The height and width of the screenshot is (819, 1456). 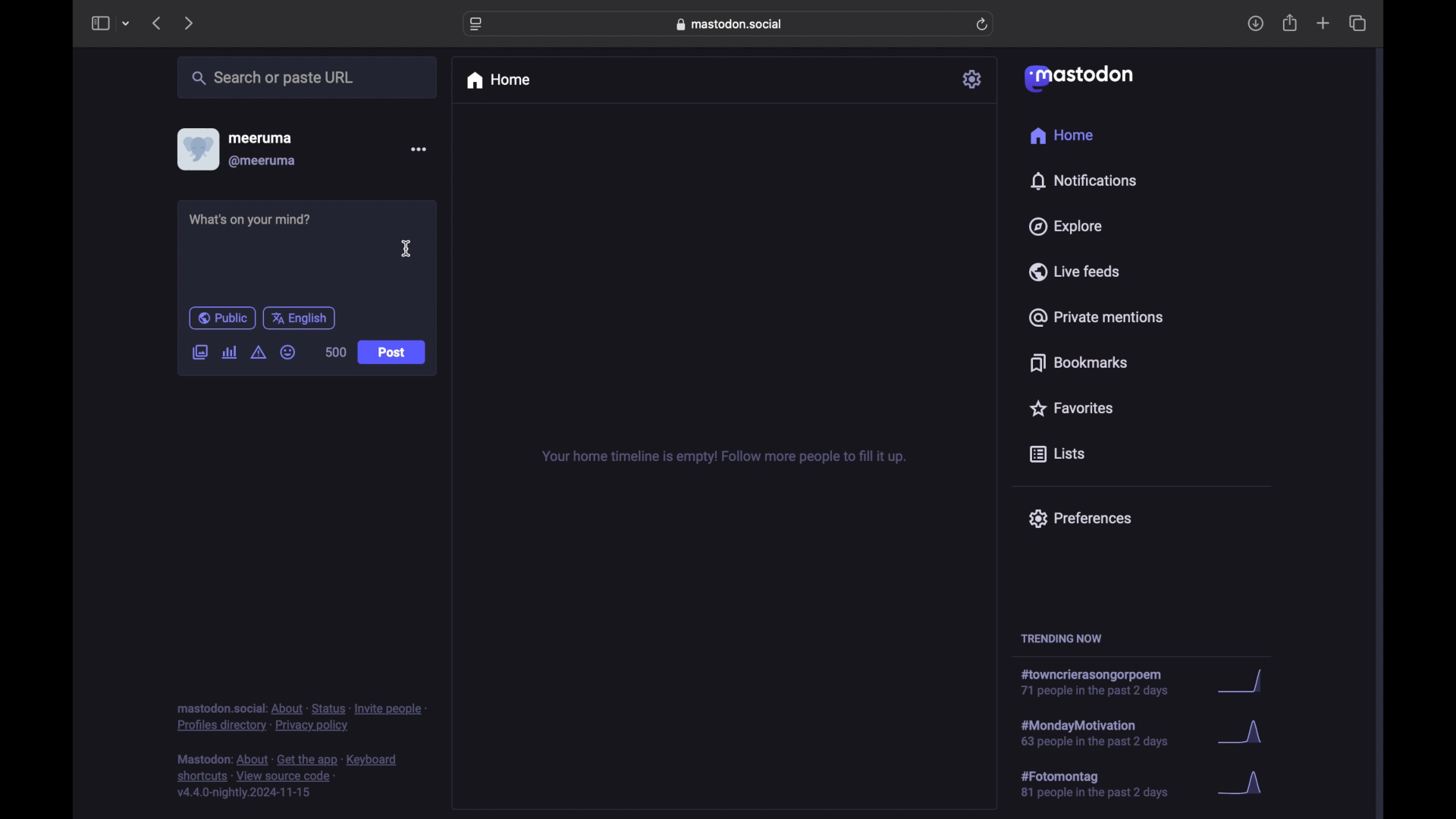 What do you see at coordinates (1245, 784) in the screenshot?
I see `graph` at bounding box center [1245, 784].